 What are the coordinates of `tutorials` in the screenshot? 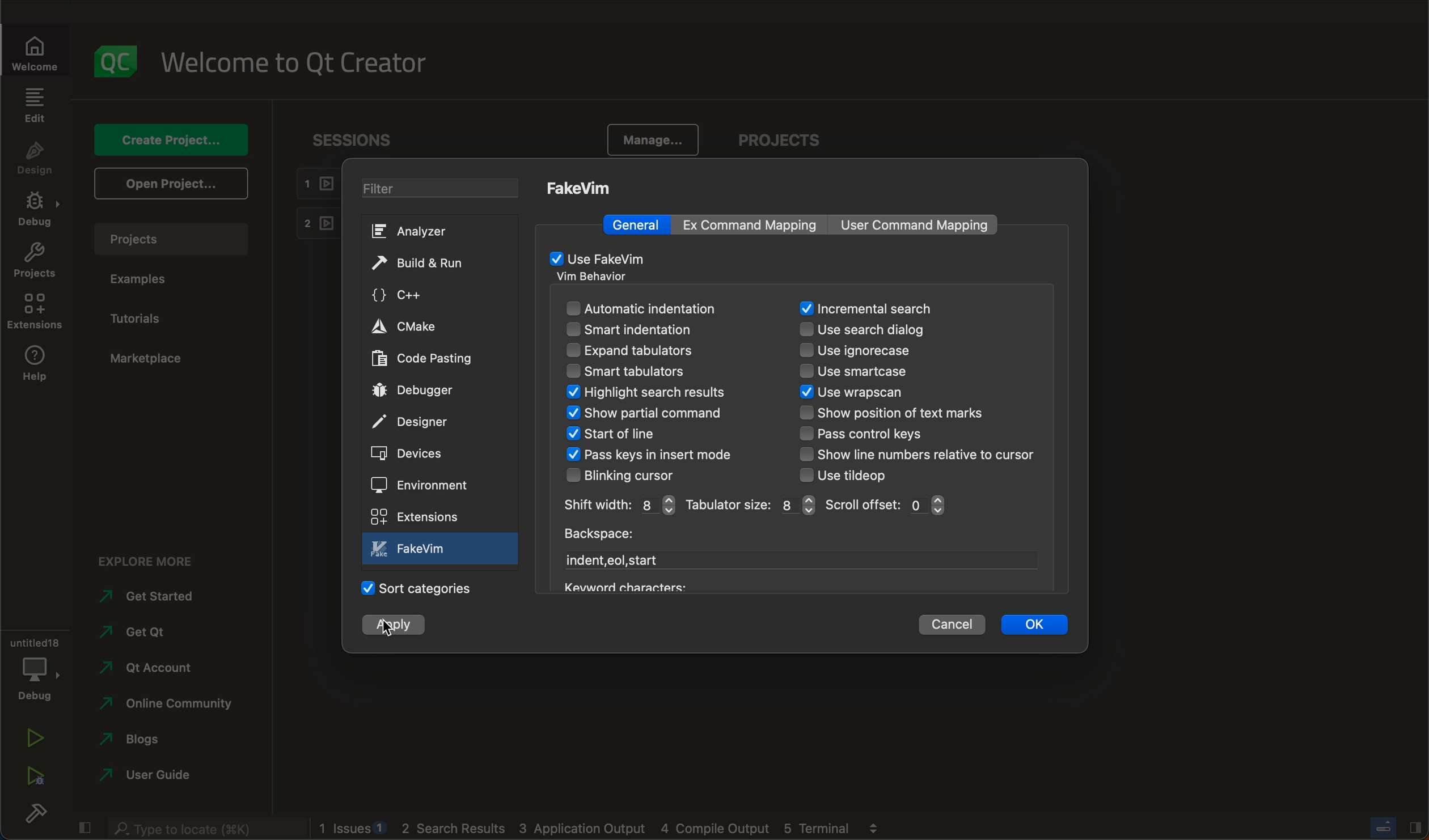 It's located at (150, 316).